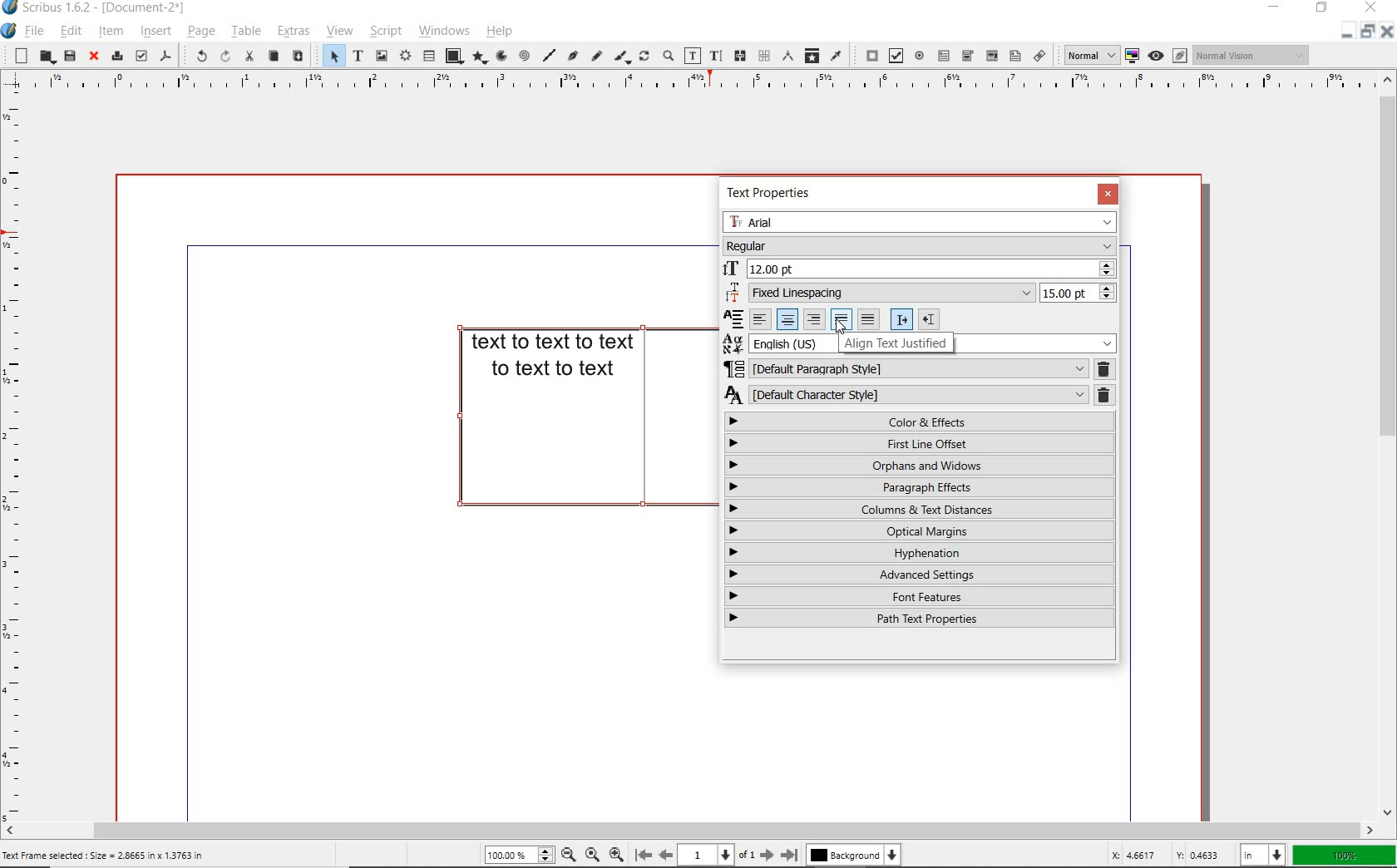 This screenshot has width=1397, height=868. What do you see at coordinates (733, 318) in the screenshot?
I see ` Reconcile` at bounding box center [733, 318].